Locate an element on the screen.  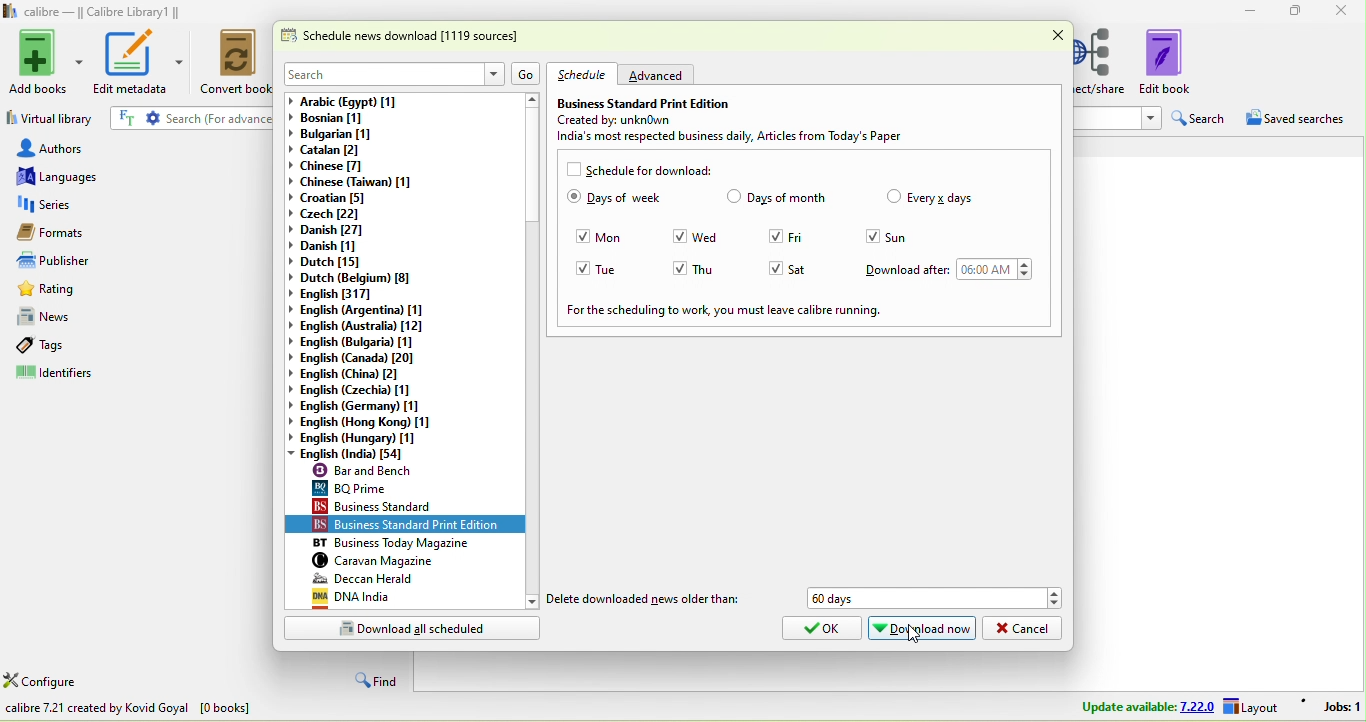
mon is located at coordinates (617, 238).